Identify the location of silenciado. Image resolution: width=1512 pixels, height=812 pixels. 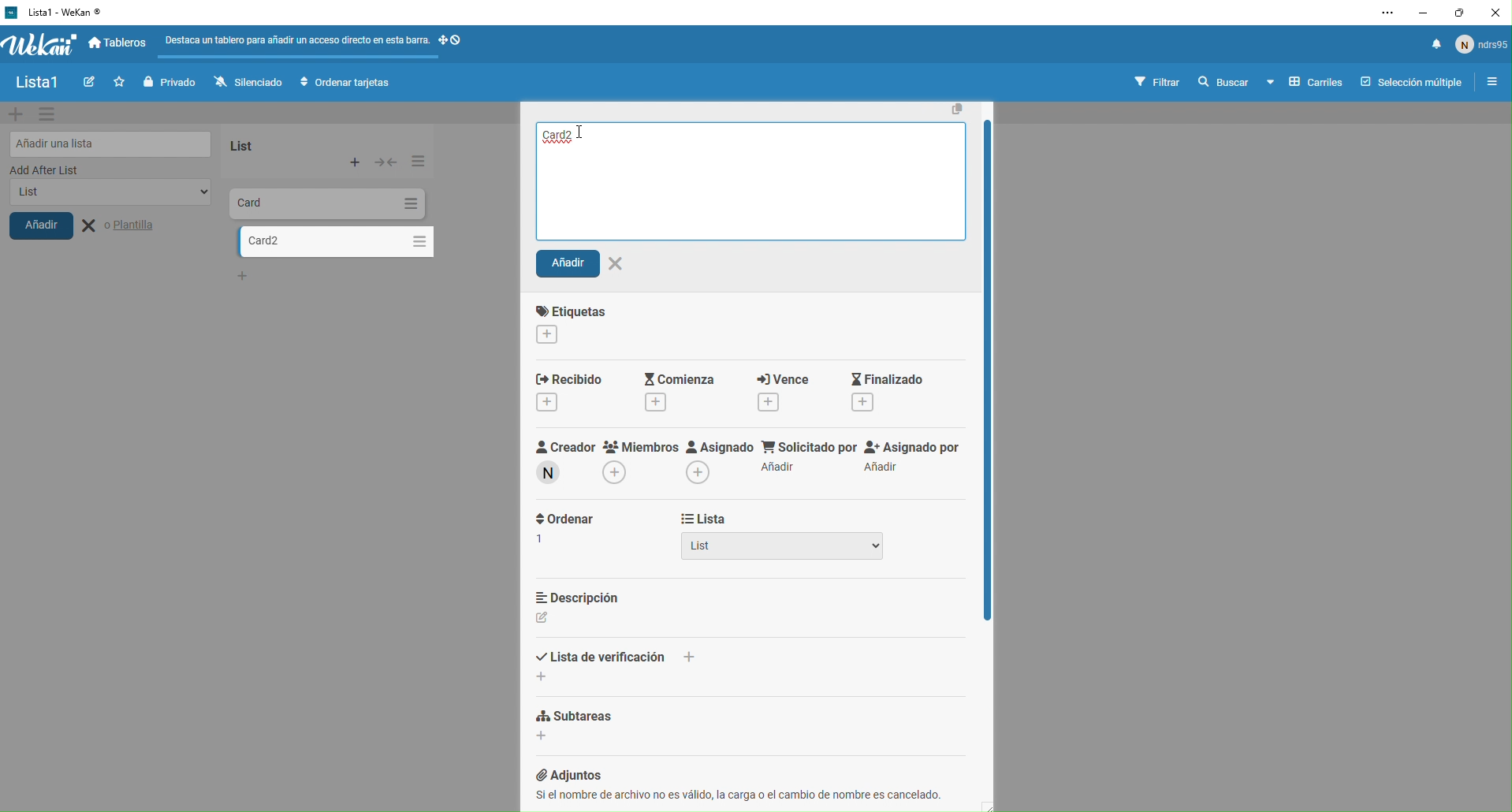
(244, 82).